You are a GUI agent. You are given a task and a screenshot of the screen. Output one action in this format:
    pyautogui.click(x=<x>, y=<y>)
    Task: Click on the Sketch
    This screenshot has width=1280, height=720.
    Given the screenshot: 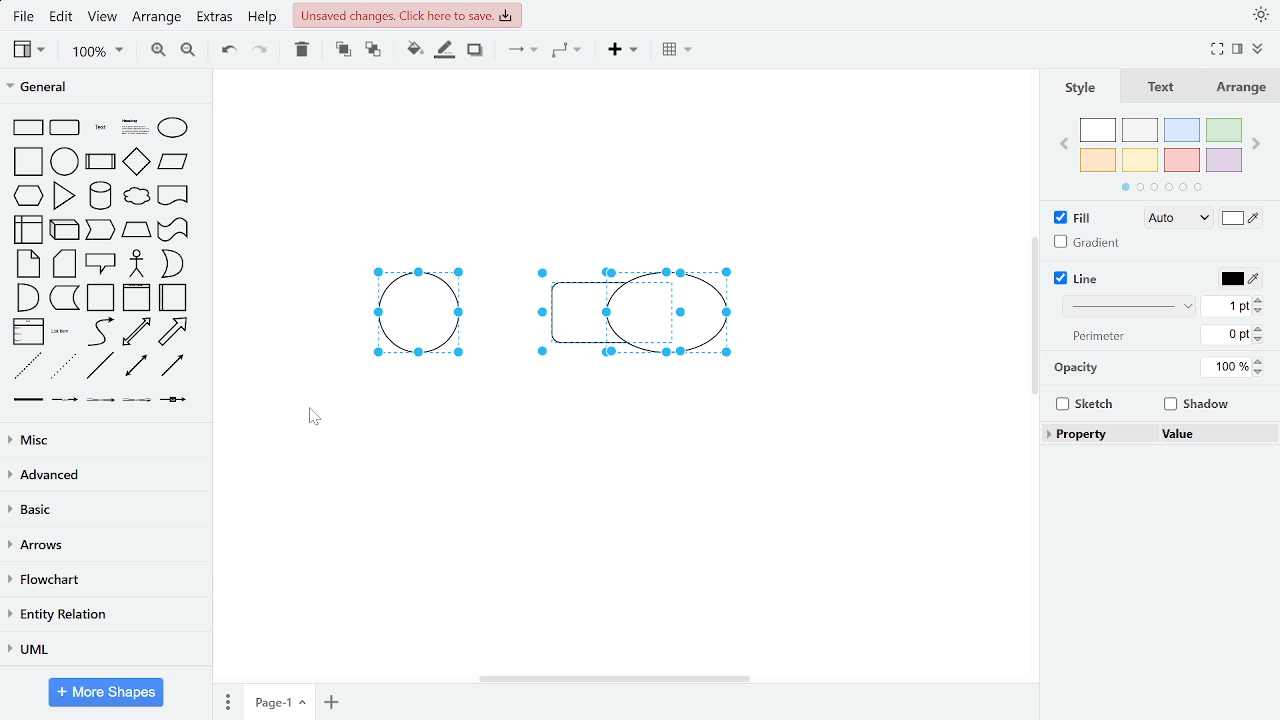 What is the action you would take?
    pyautogui.click(x=1087, y=404)
    